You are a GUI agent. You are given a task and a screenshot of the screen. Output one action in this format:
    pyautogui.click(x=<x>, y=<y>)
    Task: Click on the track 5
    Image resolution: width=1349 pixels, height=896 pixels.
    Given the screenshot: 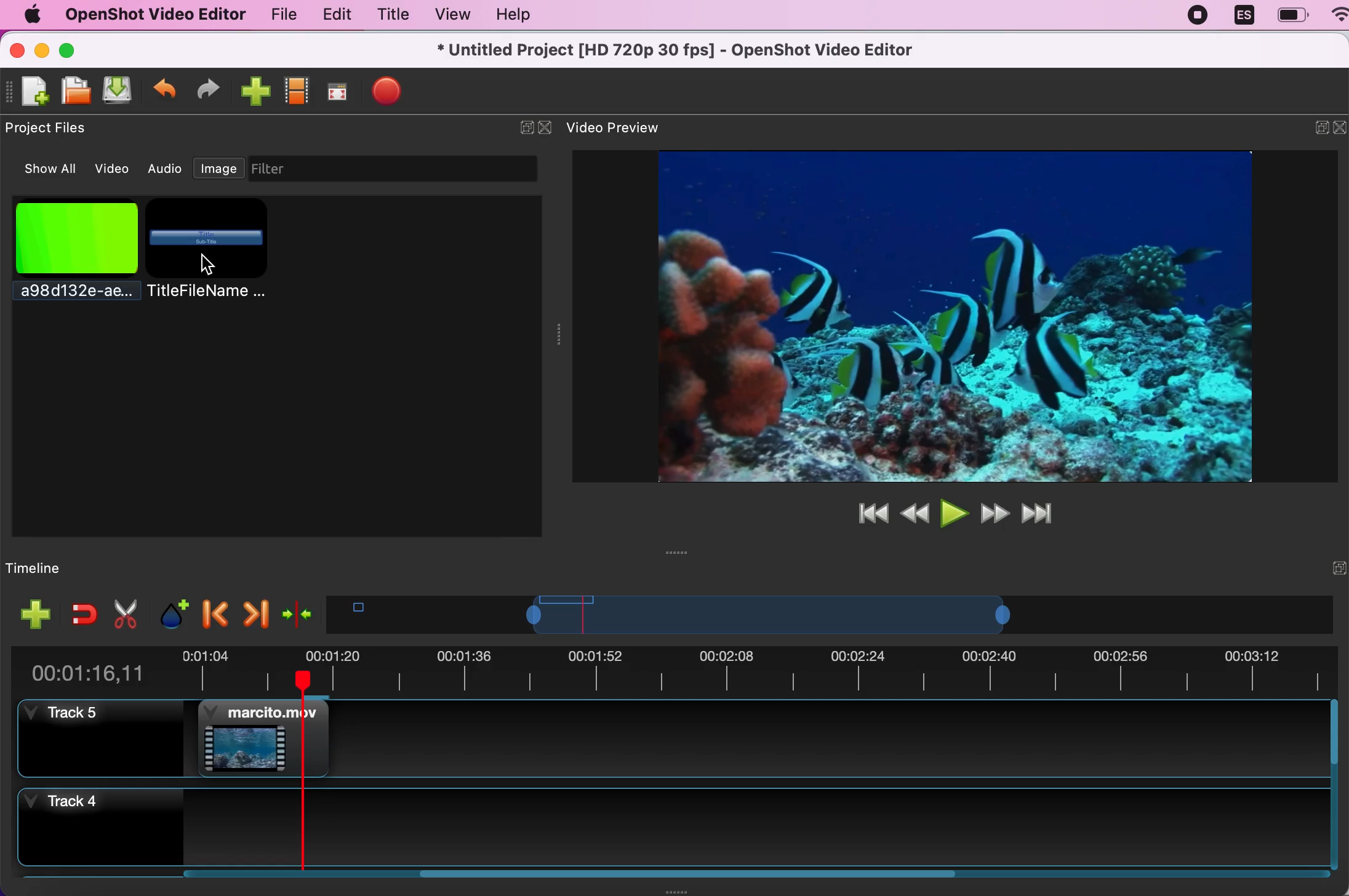 What is the action you would take?
    pyautogui.click(x=106, y=743)
    